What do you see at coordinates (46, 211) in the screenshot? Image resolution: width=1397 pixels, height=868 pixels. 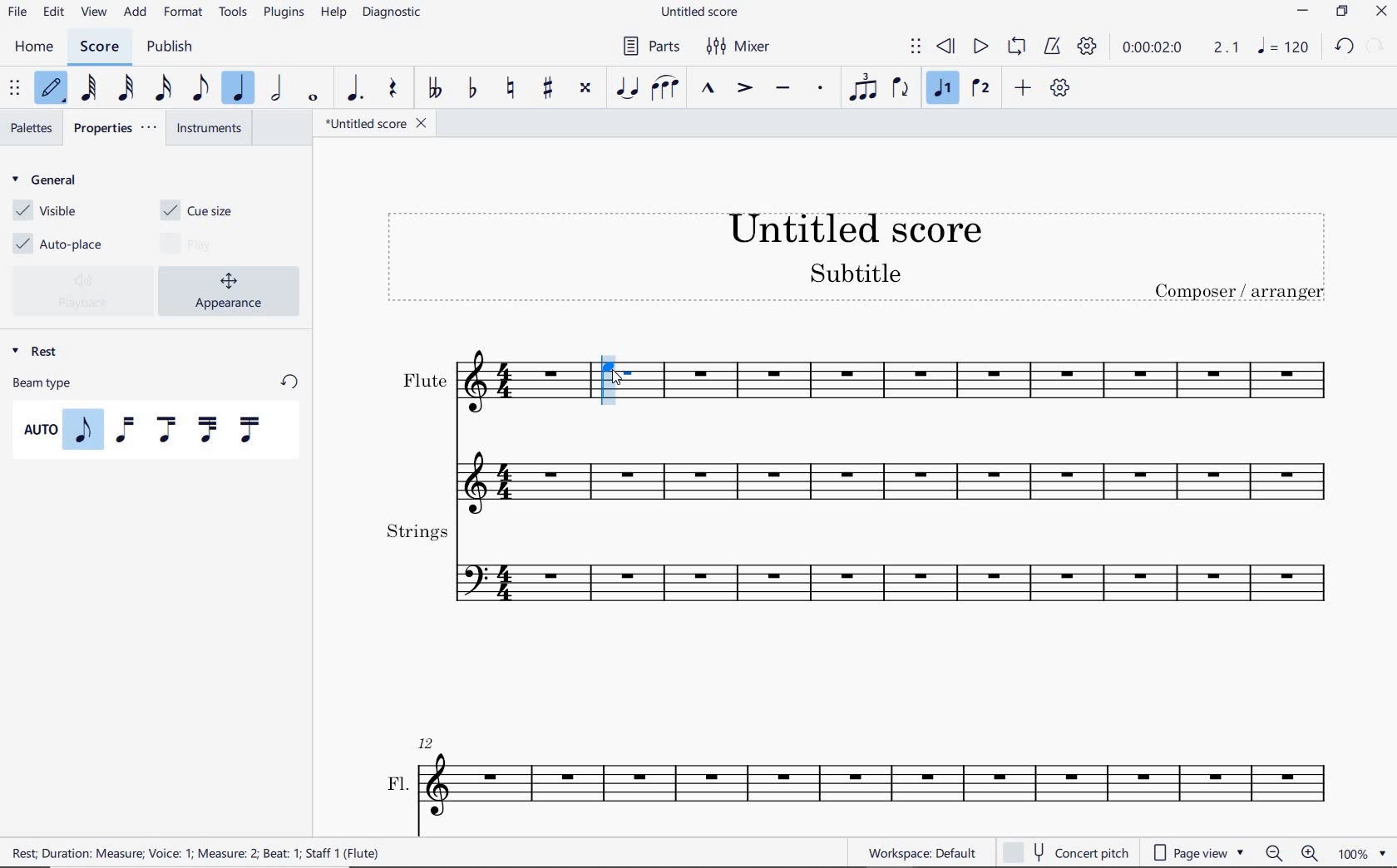 I see `VISIBLE` at bounding box center [46, 211].